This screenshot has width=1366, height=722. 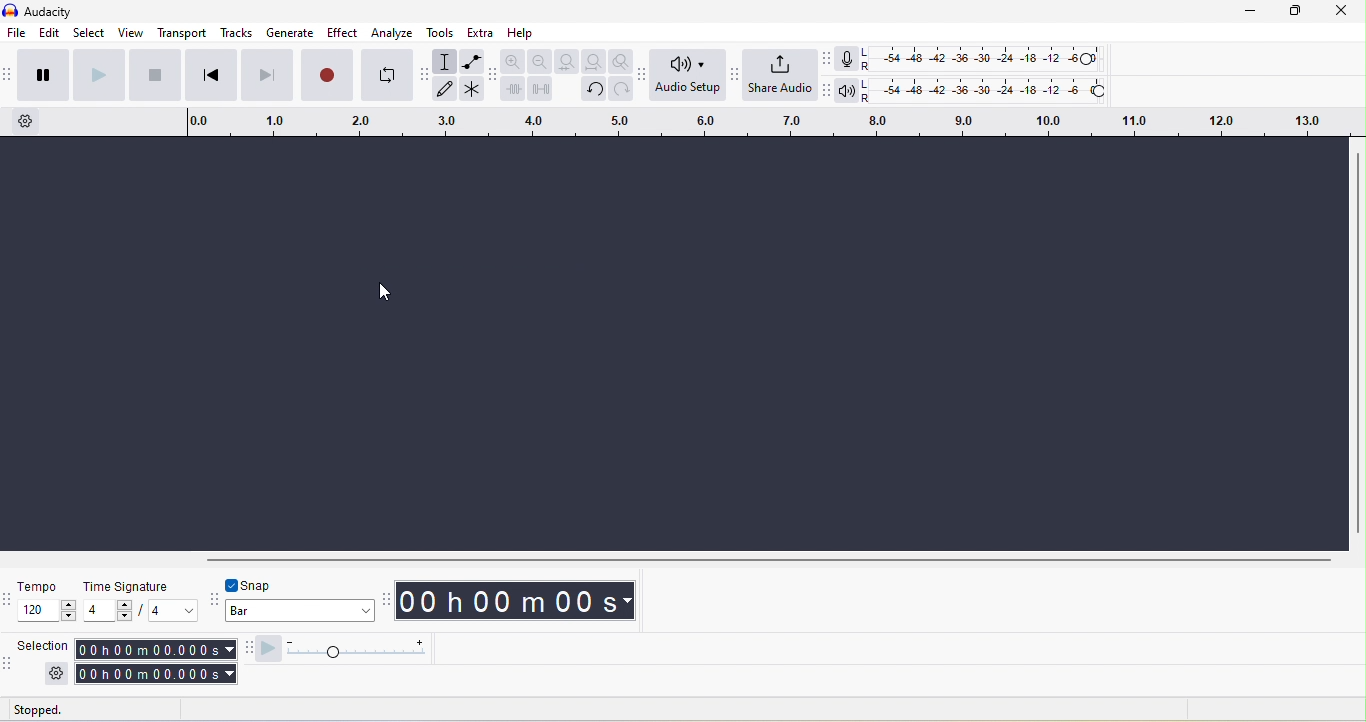 What do you see at coordinates (387, 76) in the screenshot?
I see `enable loop` at bounding box center [387, 76].